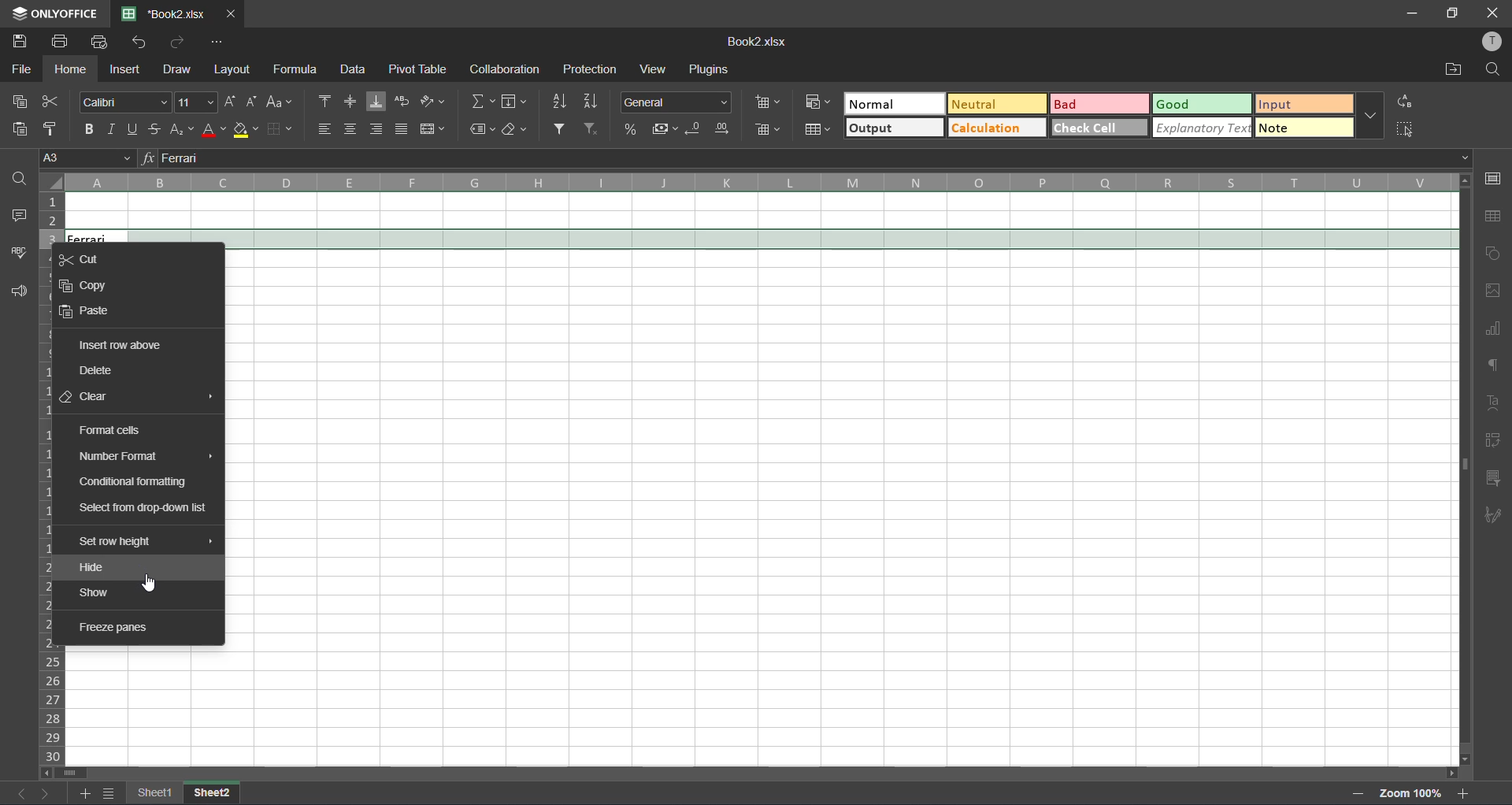 The width and height of the screenshot is (1512, 805). Describe the element at coordinates (16, 257) in the screenshot. I see `spellcheck` at that location.